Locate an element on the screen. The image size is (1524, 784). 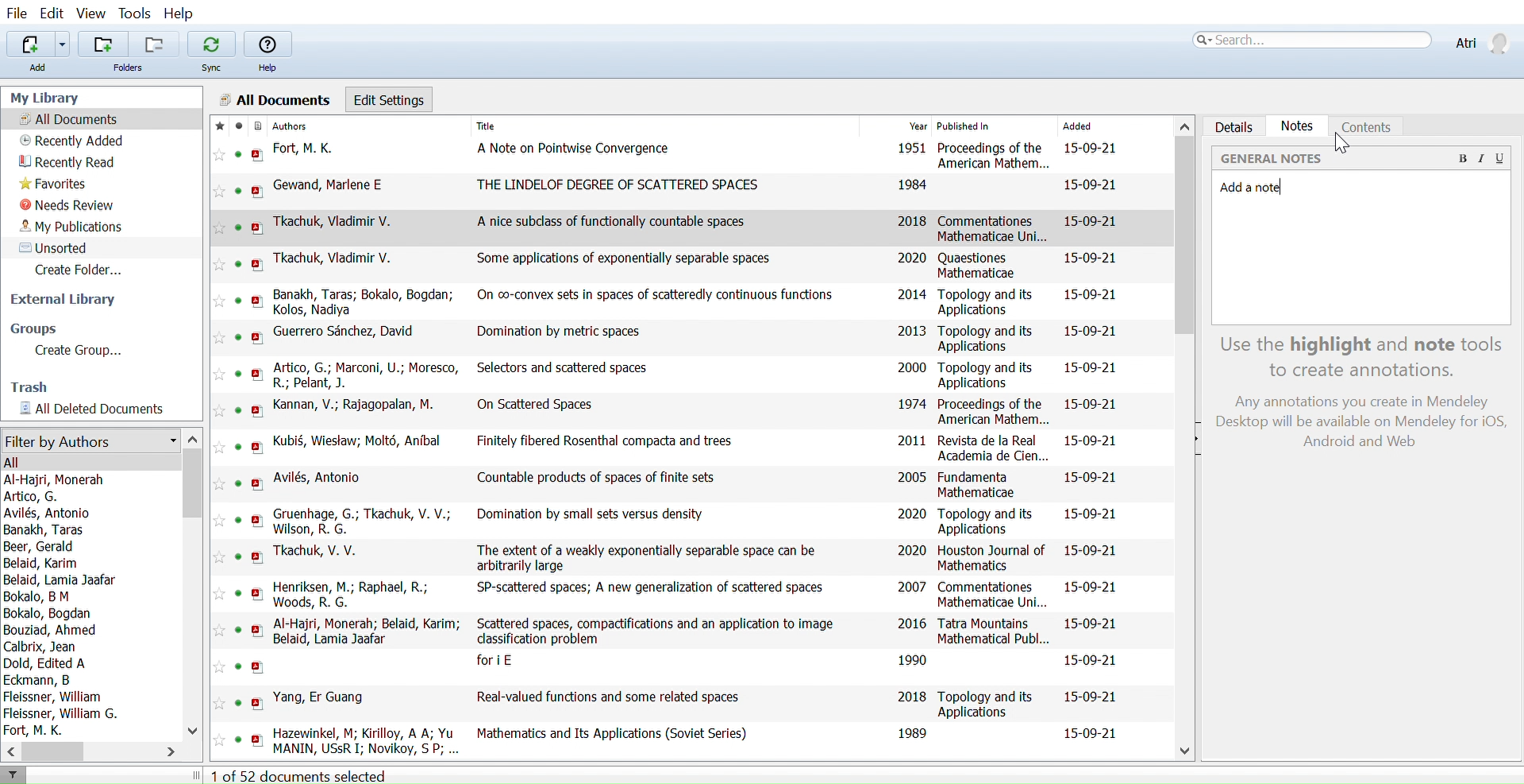
Kubi§, Wiestaw; Molt6, Anibal is located at coordinates (359, 442).